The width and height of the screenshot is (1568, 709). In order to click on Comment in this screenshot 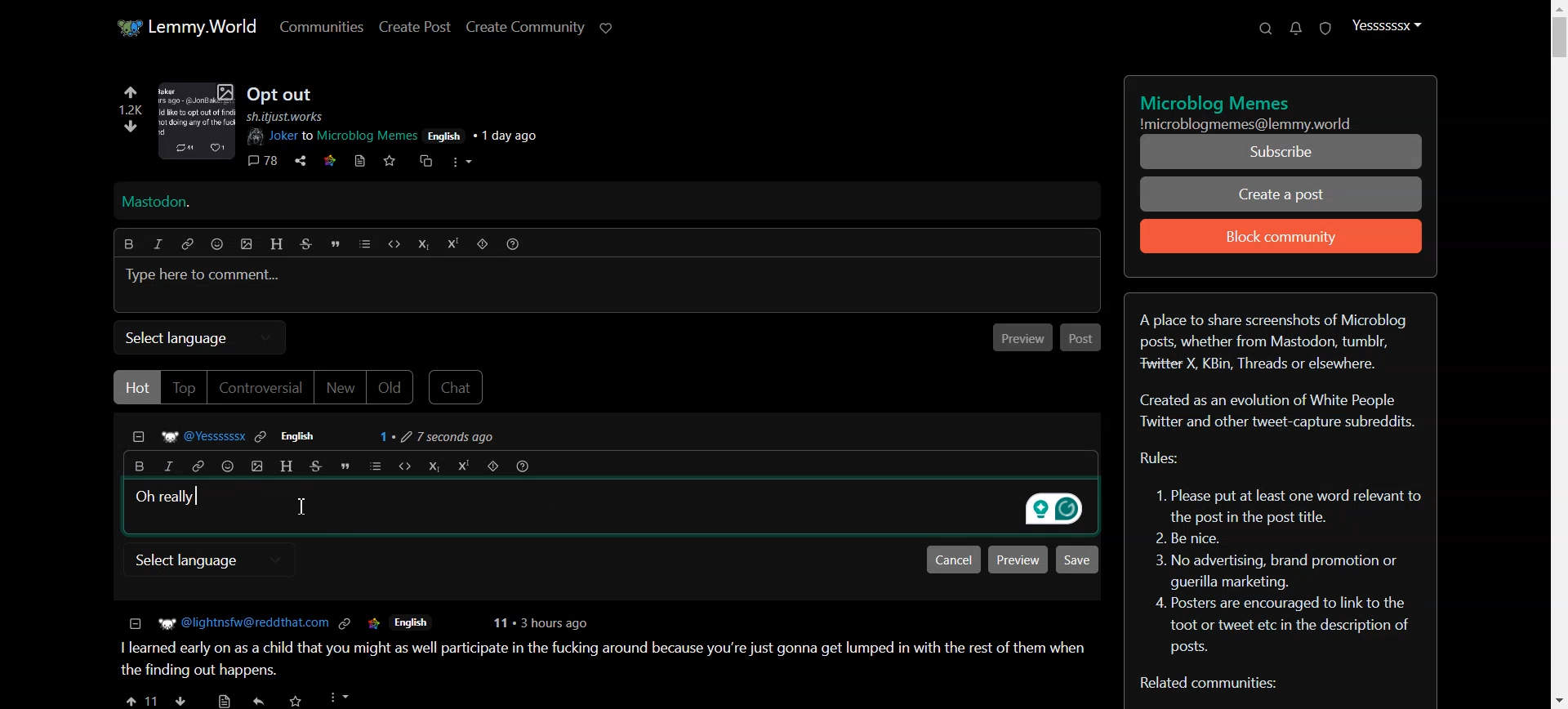, I will do `click(325, 435)`.